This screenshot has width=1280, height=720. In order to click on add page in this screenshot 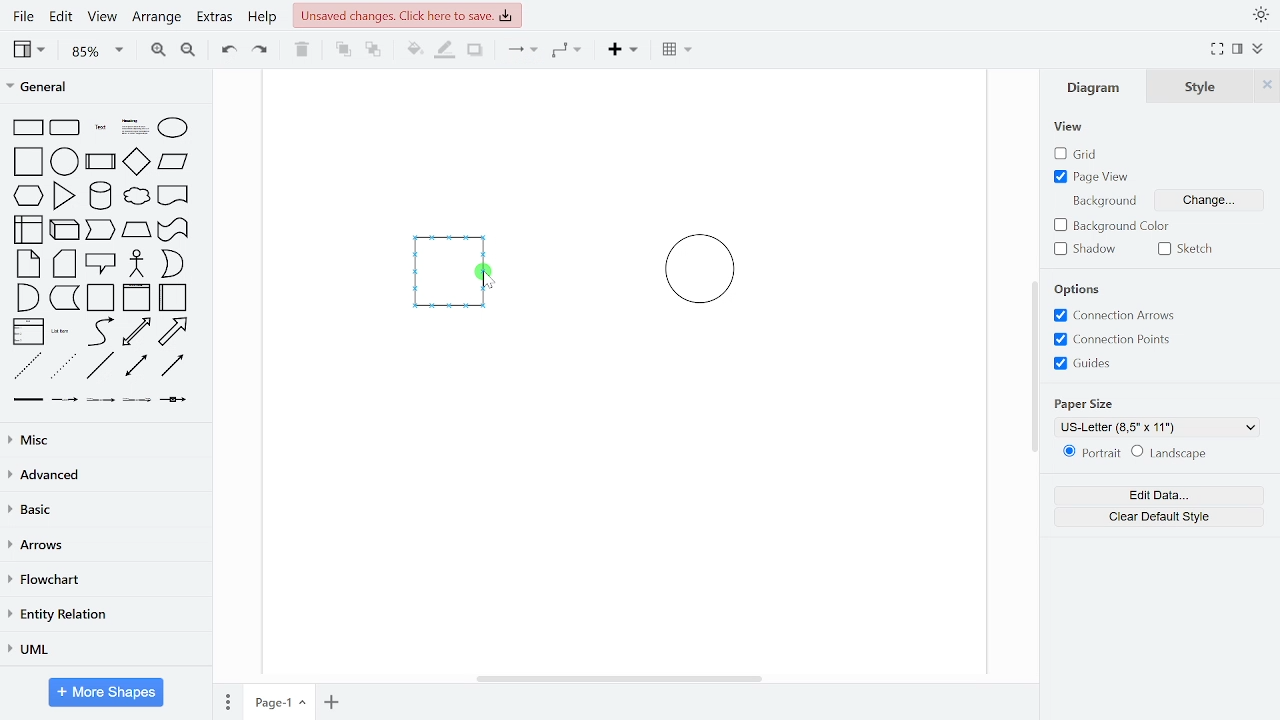, I will do `click(332, 702)`.